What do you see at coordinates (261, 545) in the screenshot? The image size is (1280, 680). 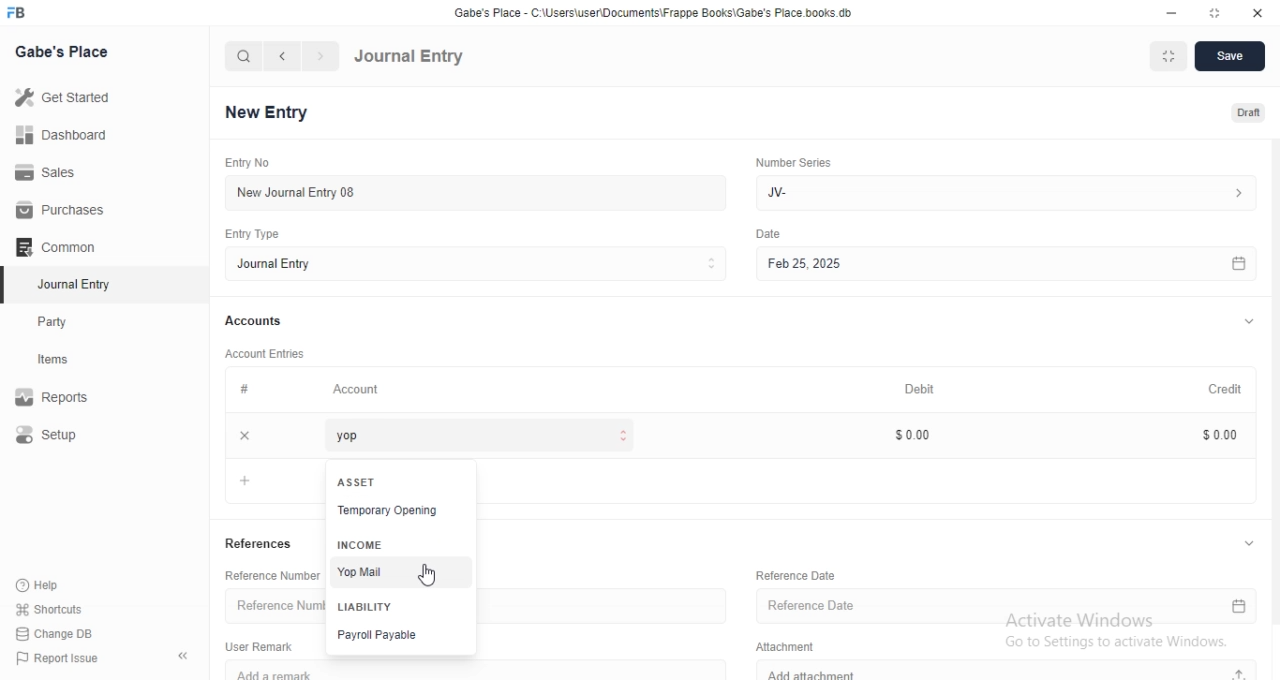 I see `References` at bounding box center [261, 545].